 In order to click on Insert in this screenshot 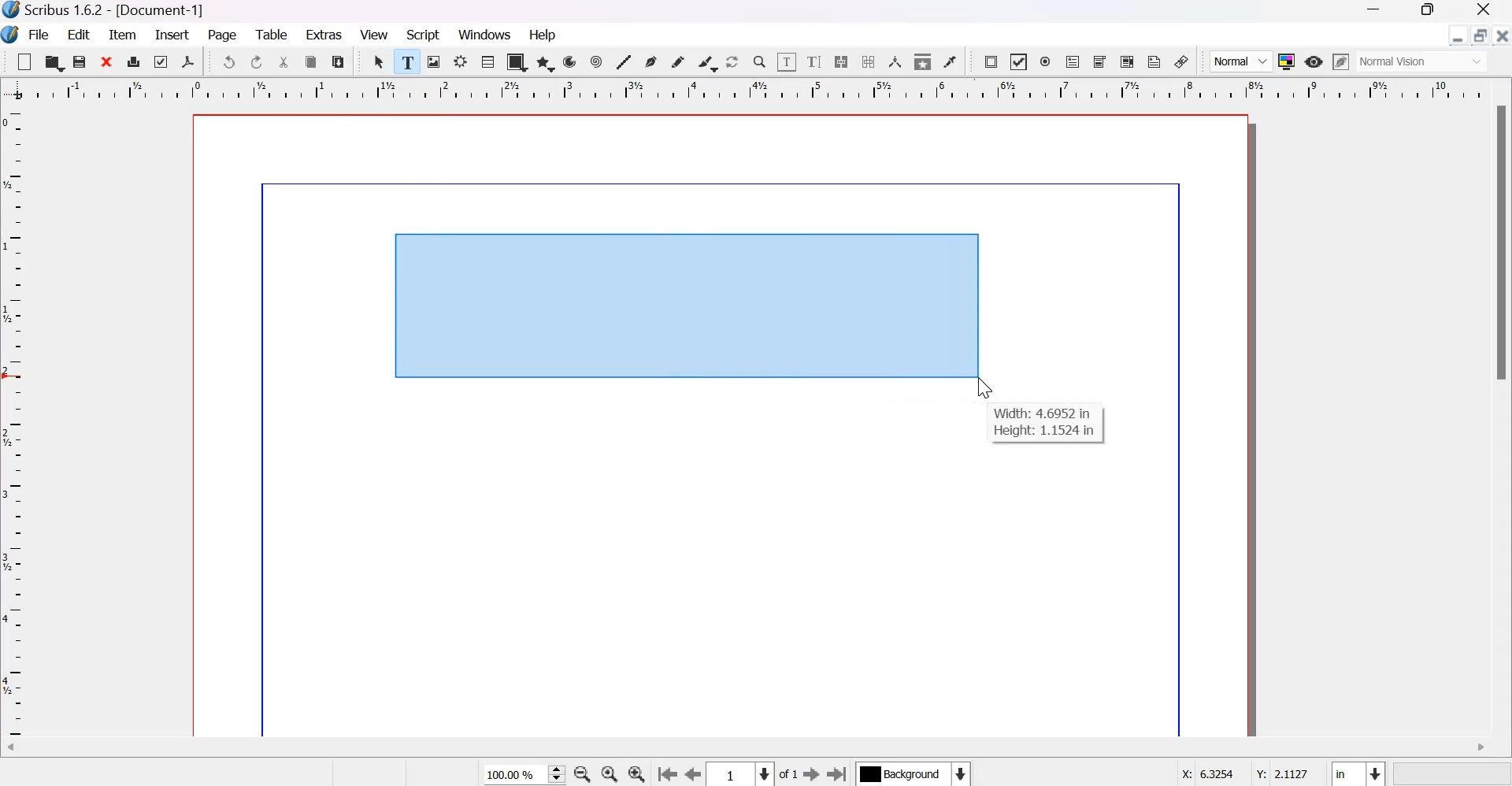, I will do `click(172, 35)`.